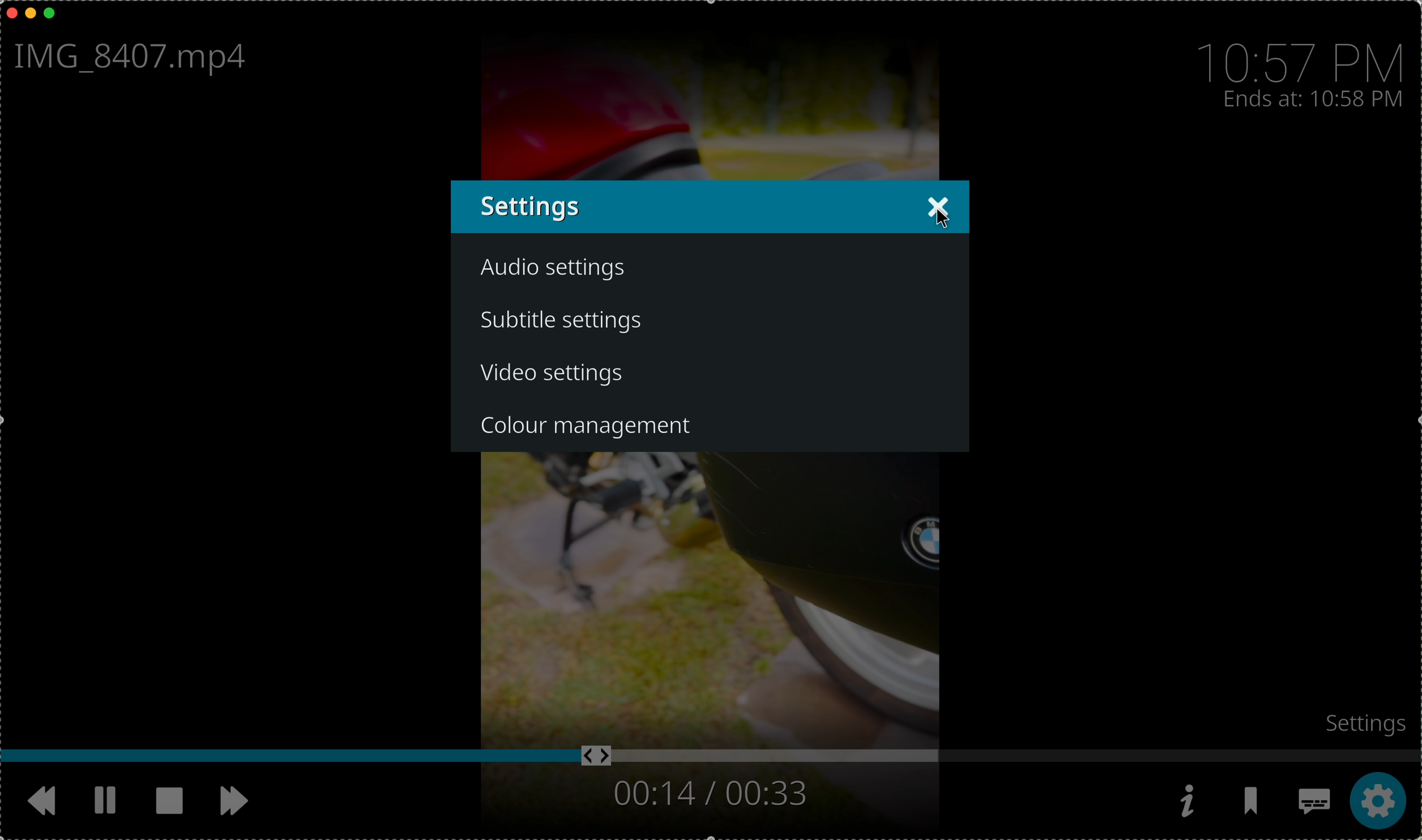 Image resolution: width=1422 pixels, height=840 pixels. I want to click on stop, so click(174, 802).